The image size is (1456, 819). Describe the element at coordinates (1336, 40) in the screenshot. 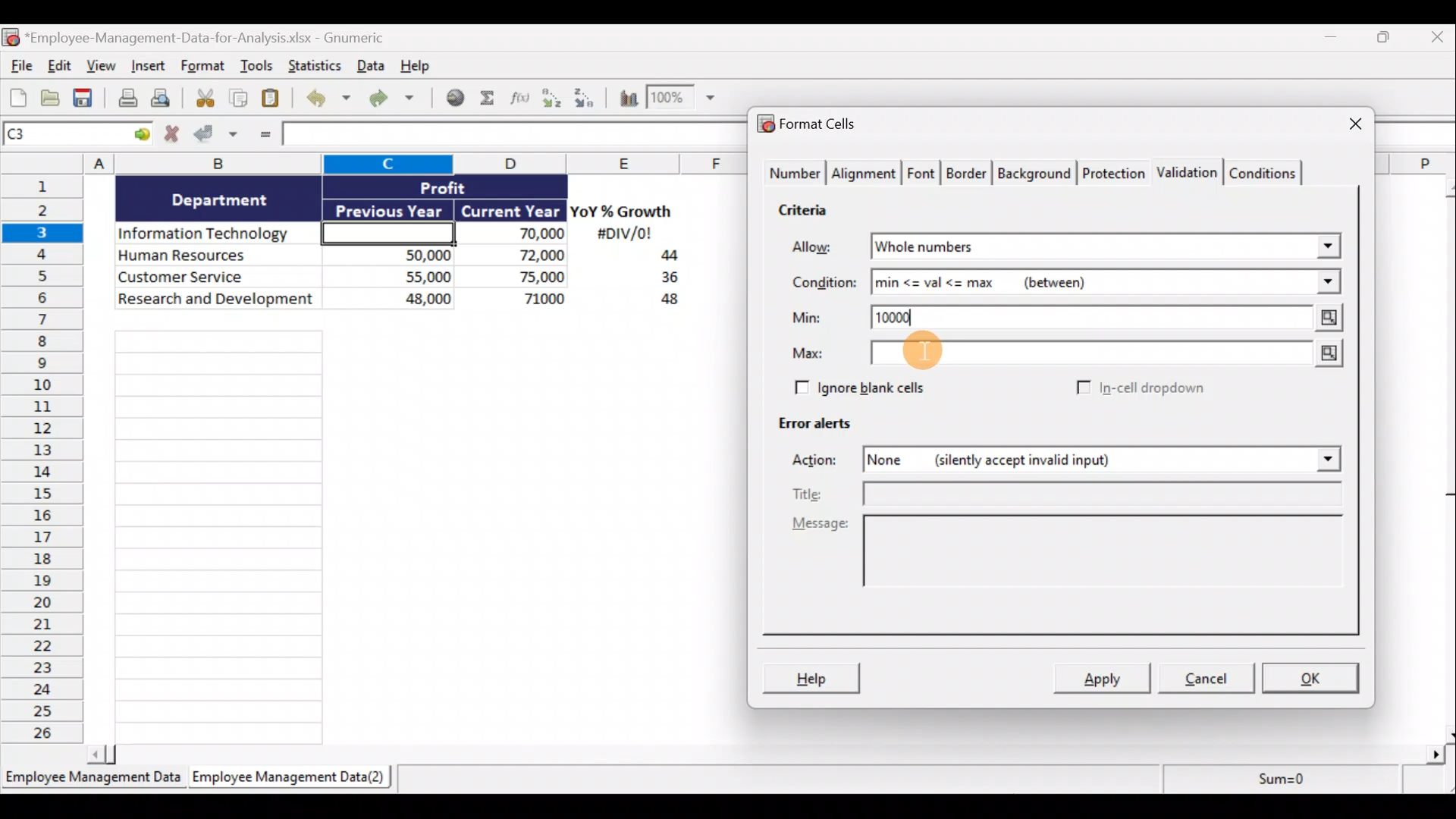

I see `Minimize` at that location.